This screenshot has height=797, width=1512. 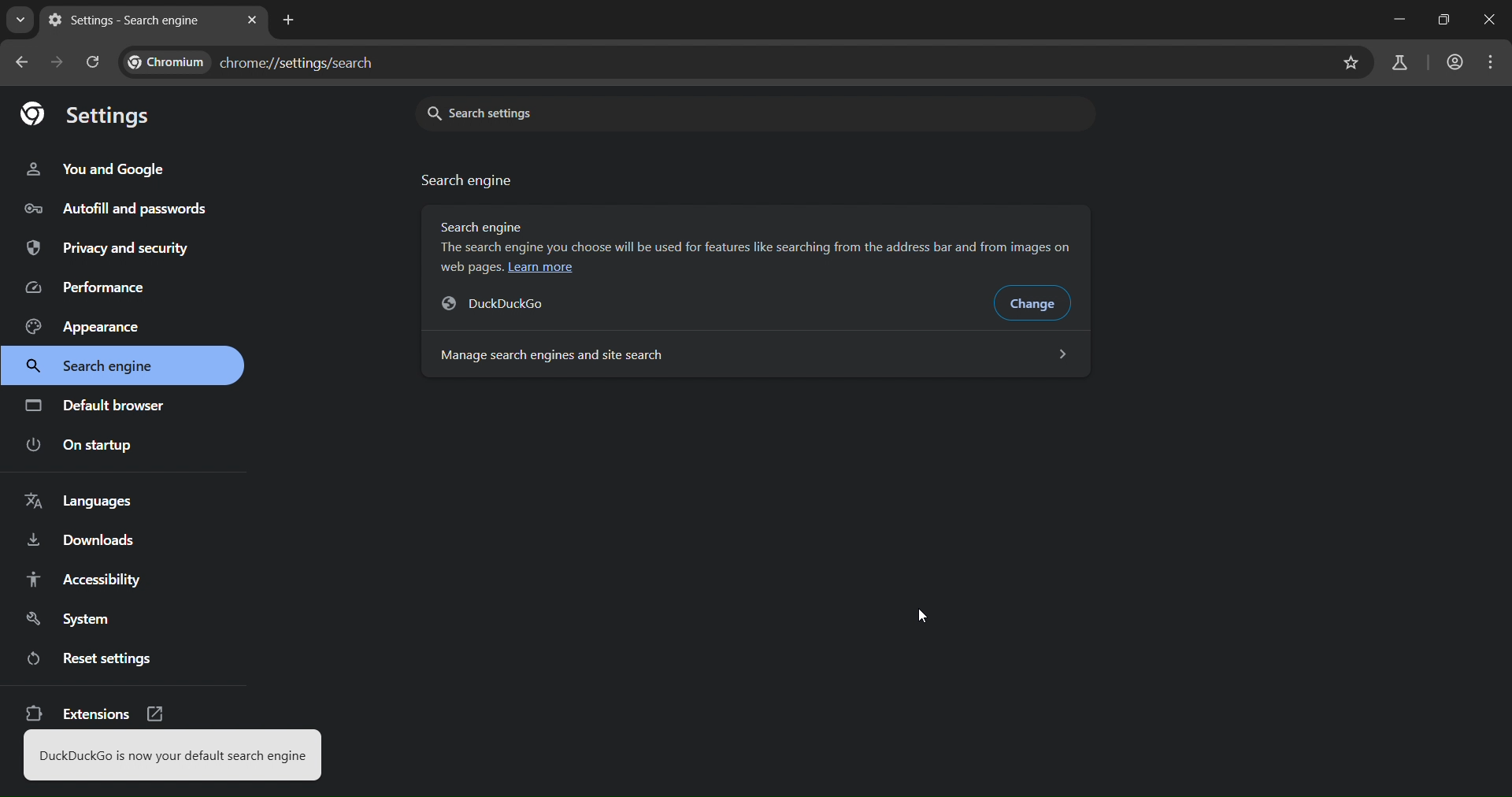 I want to click on close tab, so click(x=254, y=17).